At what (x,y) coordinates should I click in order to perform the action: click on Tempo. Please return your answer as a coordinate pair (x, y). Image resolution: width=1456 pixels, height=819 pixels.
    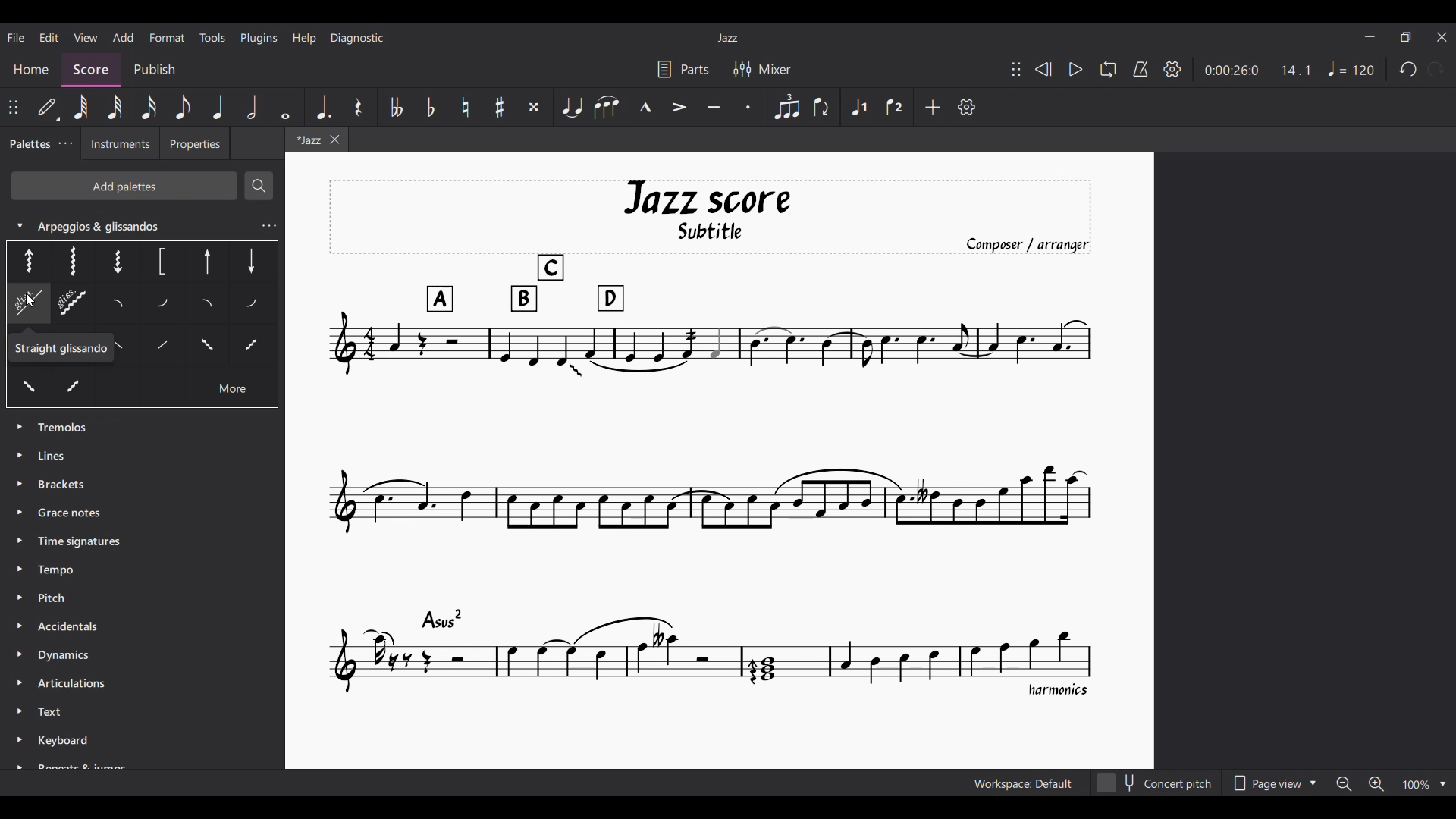
    Looking at the image, I should click on (1351, 68).